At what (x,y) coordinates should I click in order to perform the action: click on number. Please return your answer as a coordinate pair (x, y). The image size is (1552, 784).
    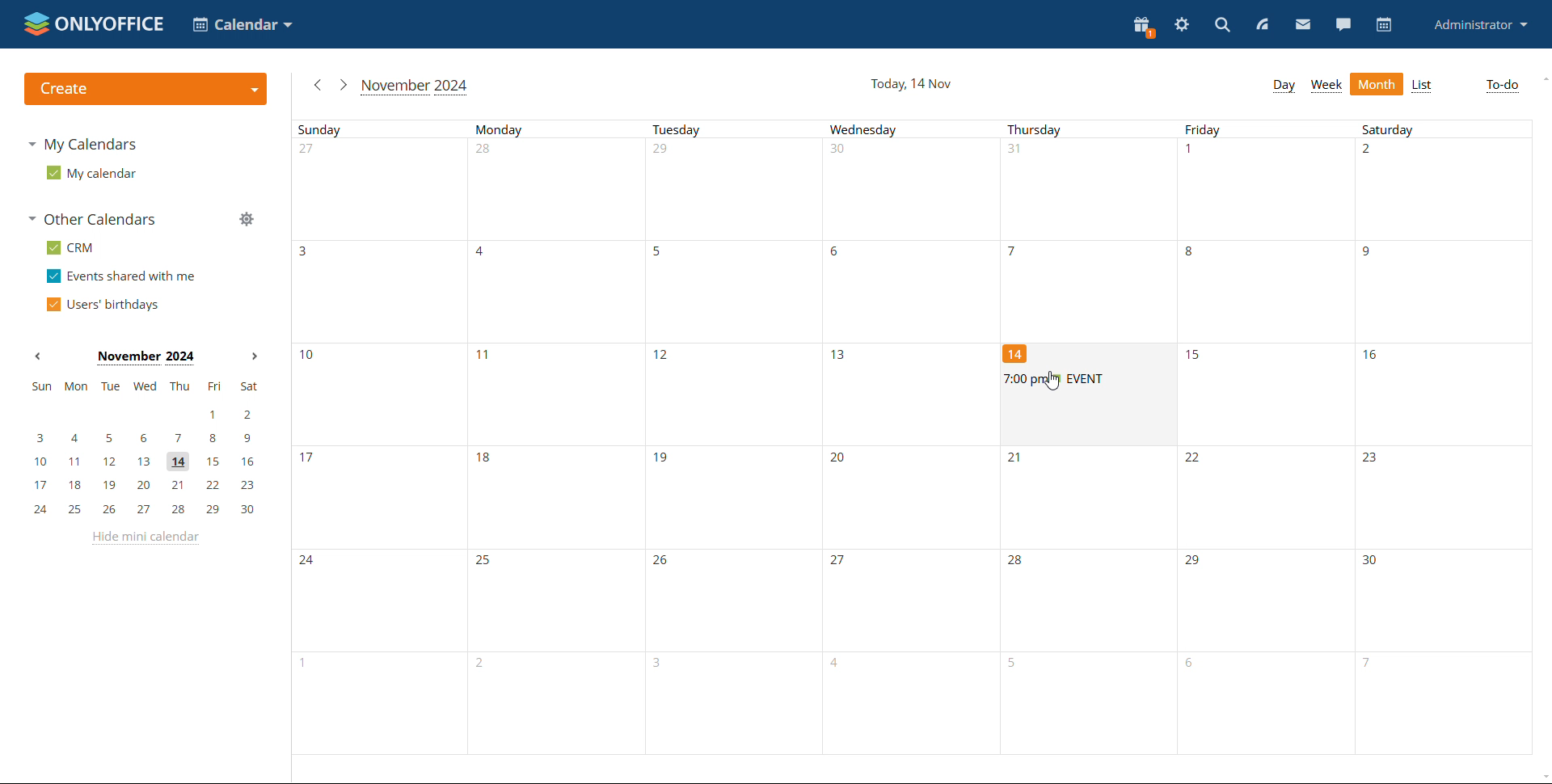
    Looking at the image, I should click on (309, 357).